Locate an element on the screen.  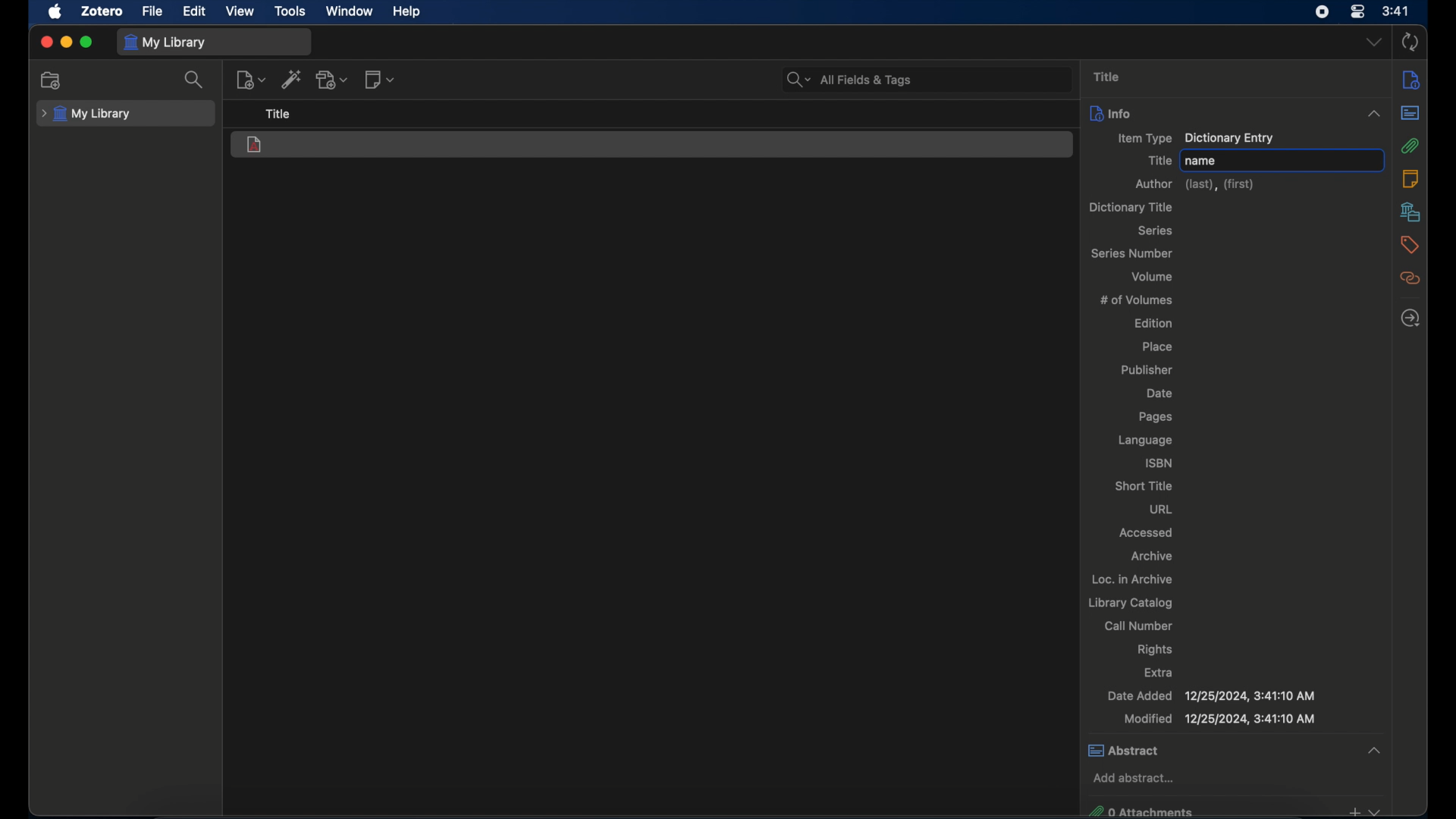
add attachment is located at coordinates (332, 80).